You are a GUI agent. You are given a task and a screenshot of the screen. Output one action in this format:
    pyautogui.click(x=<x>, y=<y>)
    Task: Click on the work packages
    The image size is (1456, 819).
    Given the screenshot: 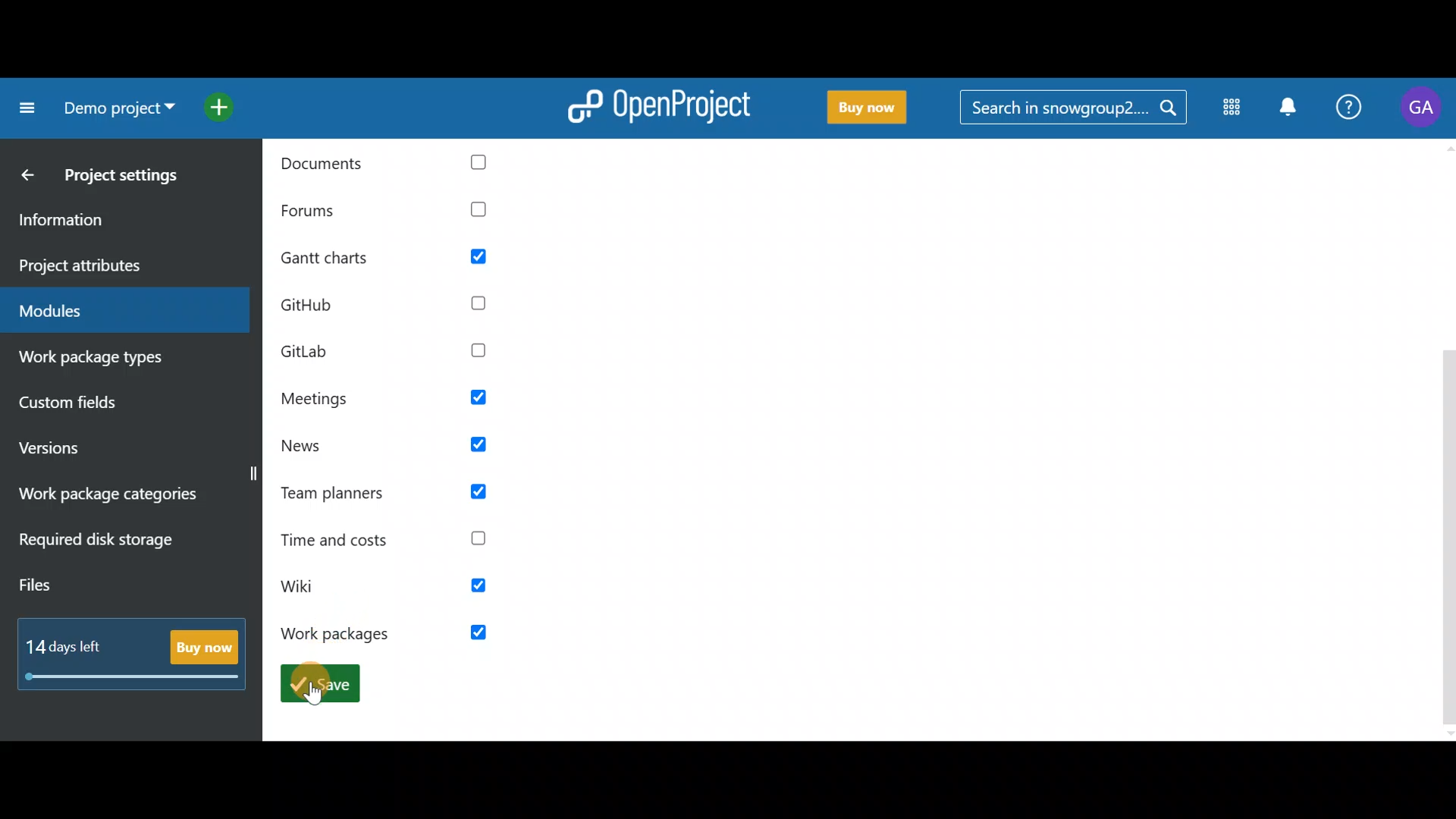 What is the action you would take?
    pyautogui.click(x=390, y=633)
    